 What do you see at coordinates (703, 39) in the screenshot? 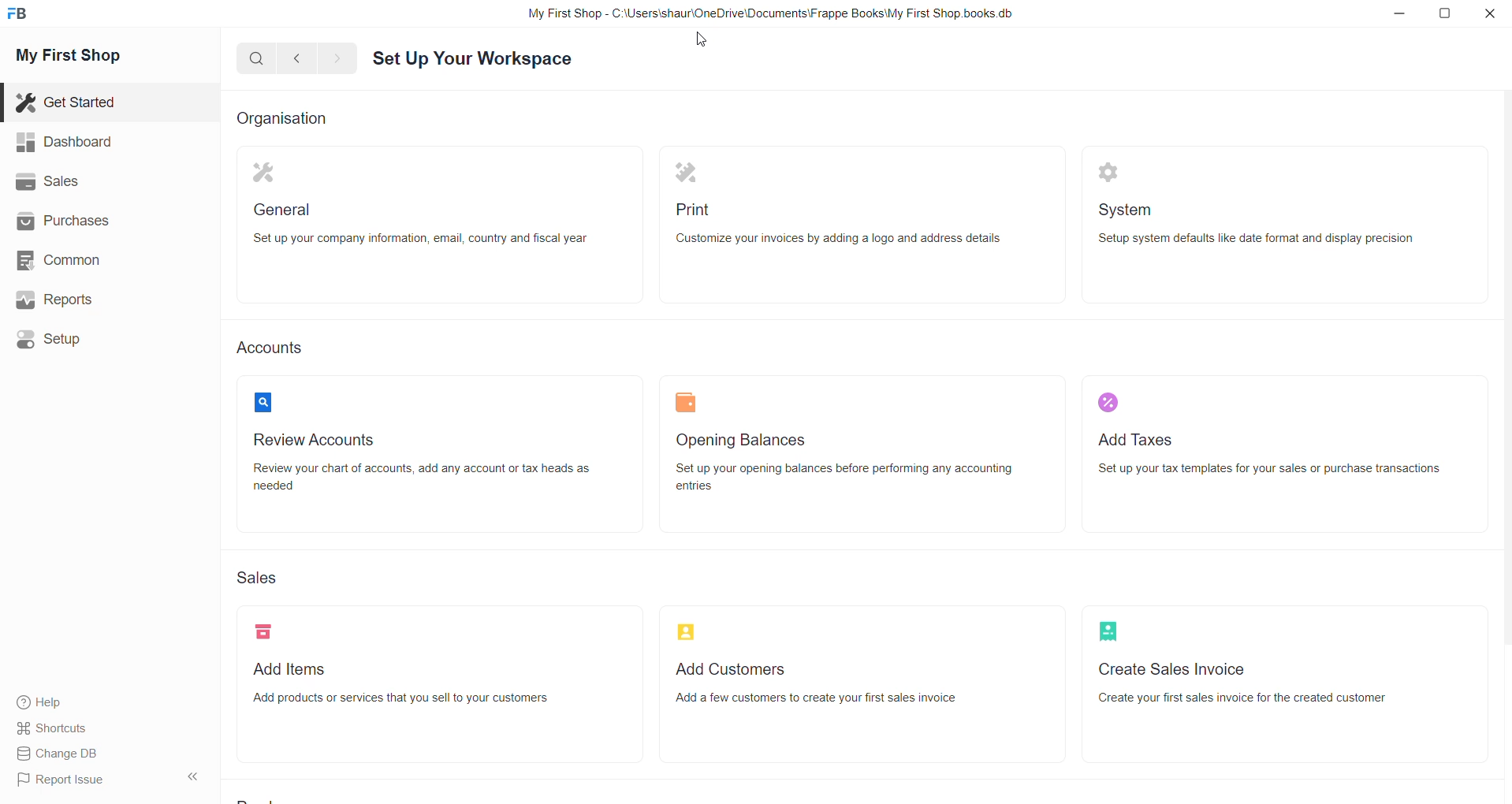
I see `cursor` at bounding box center [703, 39].